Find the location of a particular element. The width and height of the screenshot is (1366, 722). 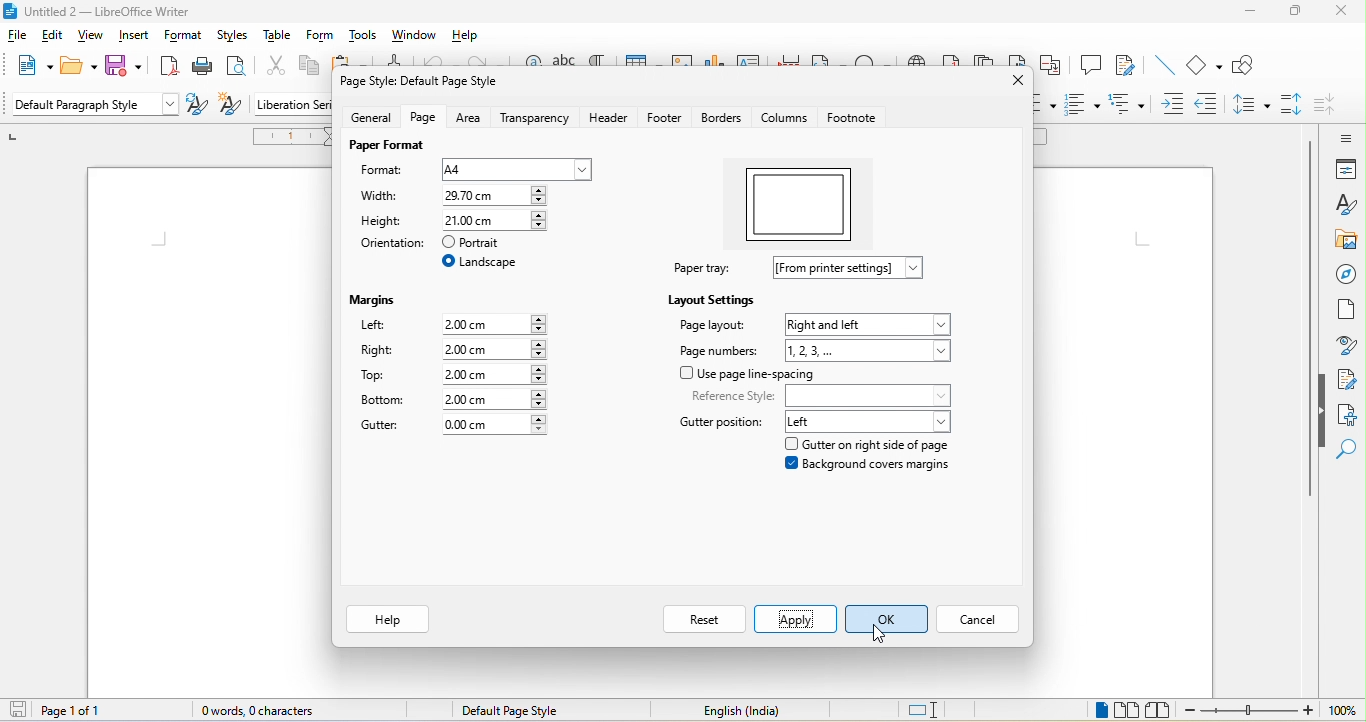

header is located at coordinates (609, 118).